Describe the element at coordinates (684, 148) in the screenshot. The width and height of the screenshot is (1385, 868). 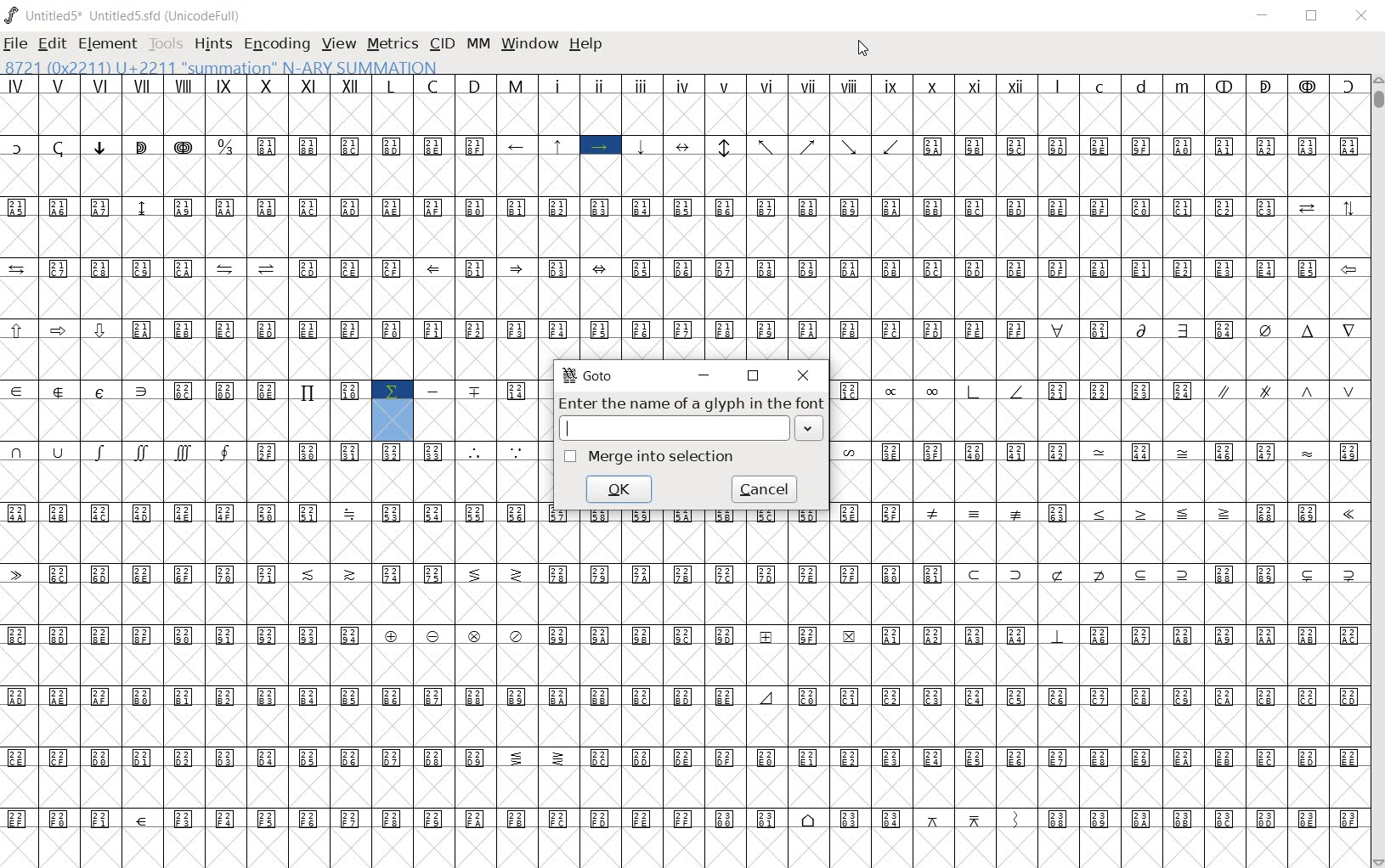
I see `special symbols` at that location.